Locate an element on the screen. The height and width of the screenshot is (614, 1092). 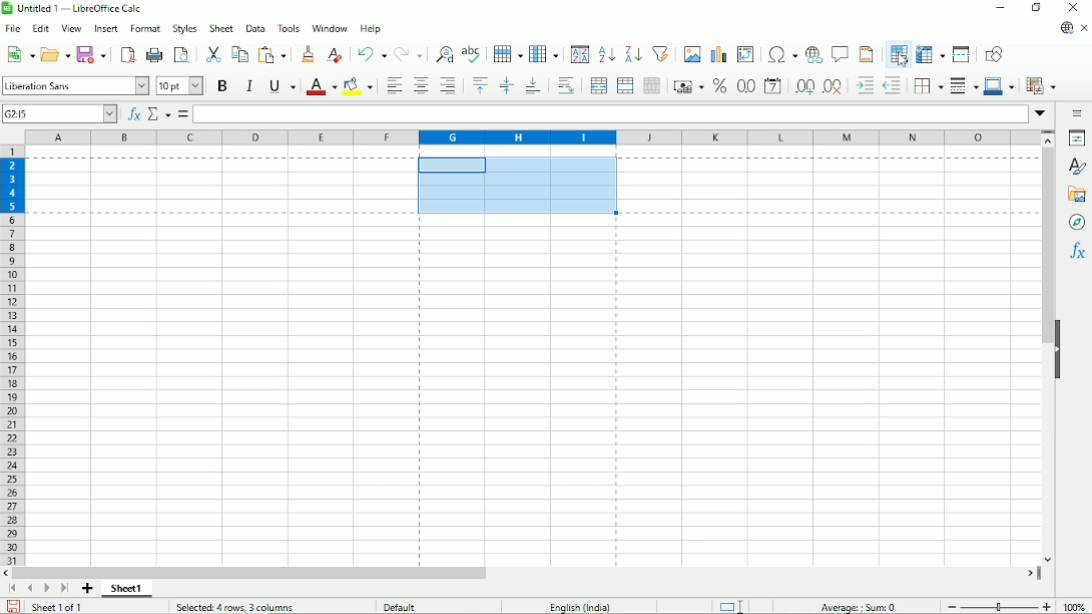
Unmerge cells is located at coordinates (652, 86).